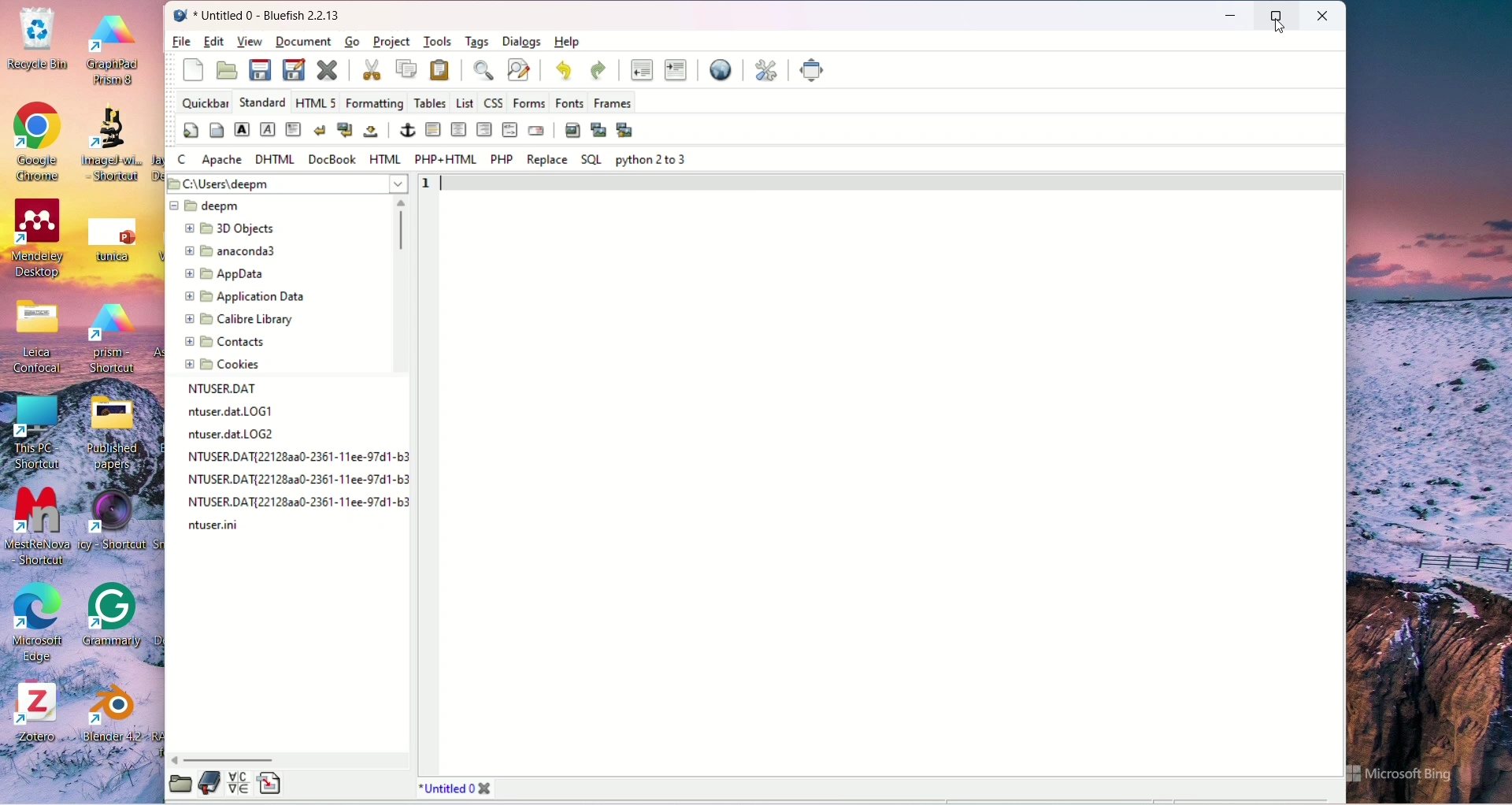  I want to click on icy shortcut, so click(121, 530).